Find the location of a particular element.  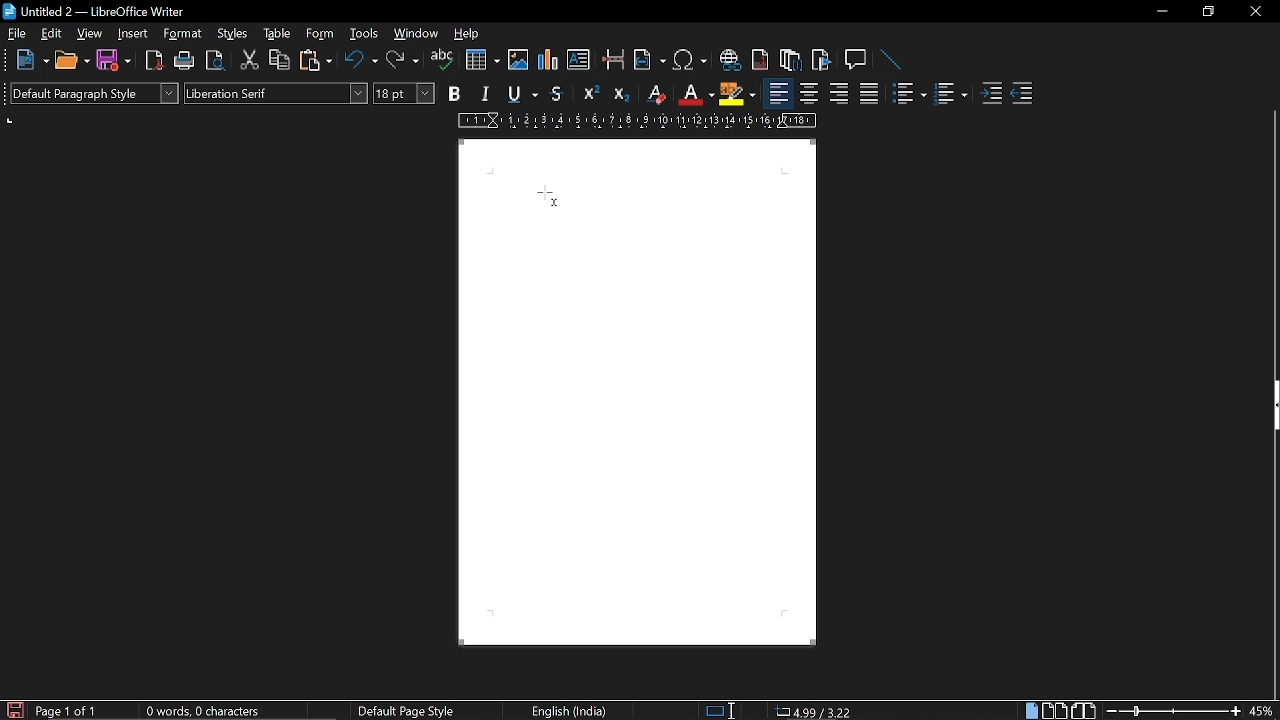

current zoom is located at coordinates (1262, 711).